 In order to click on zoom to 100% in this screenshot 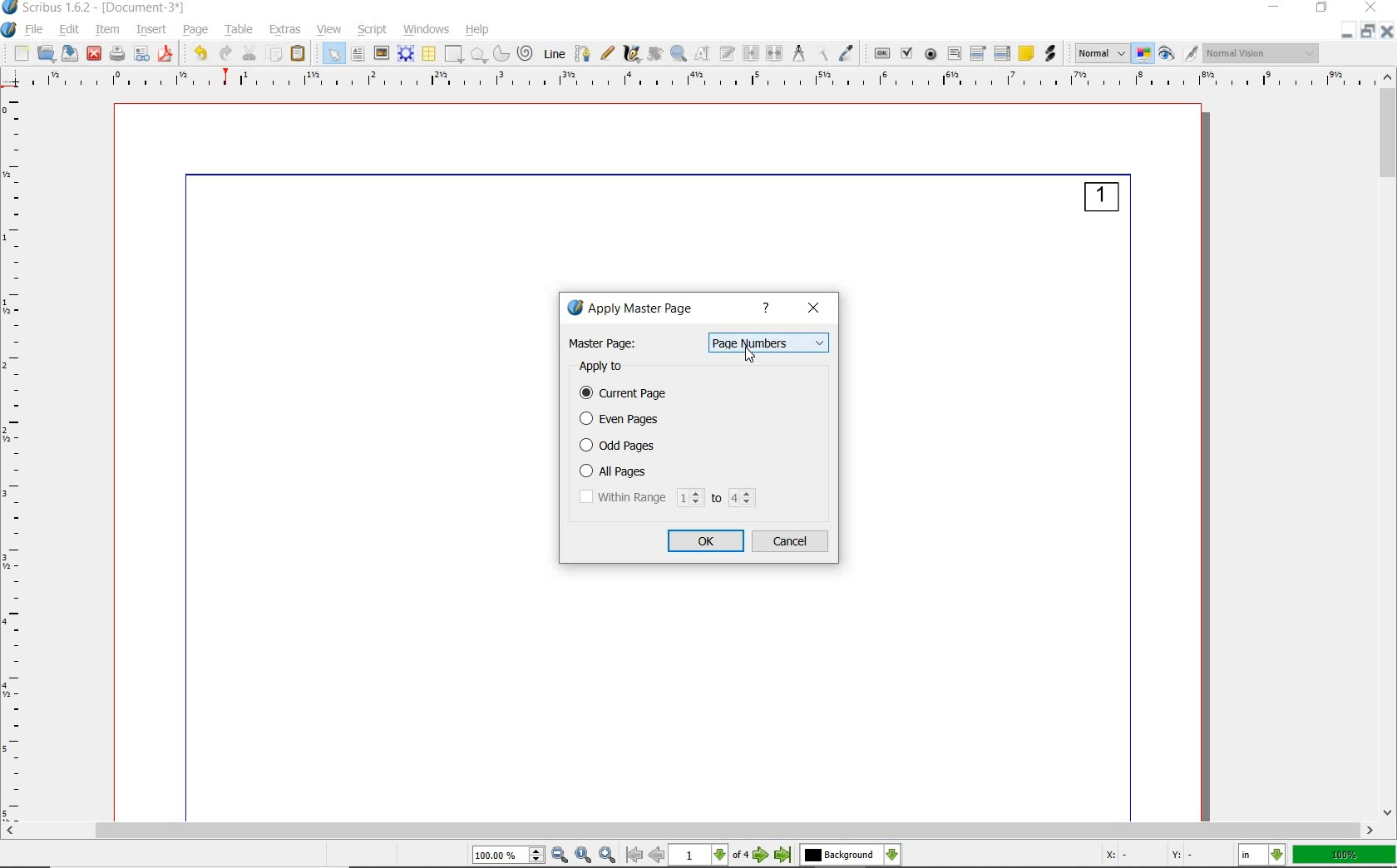, I will do `click(585, 855)`.